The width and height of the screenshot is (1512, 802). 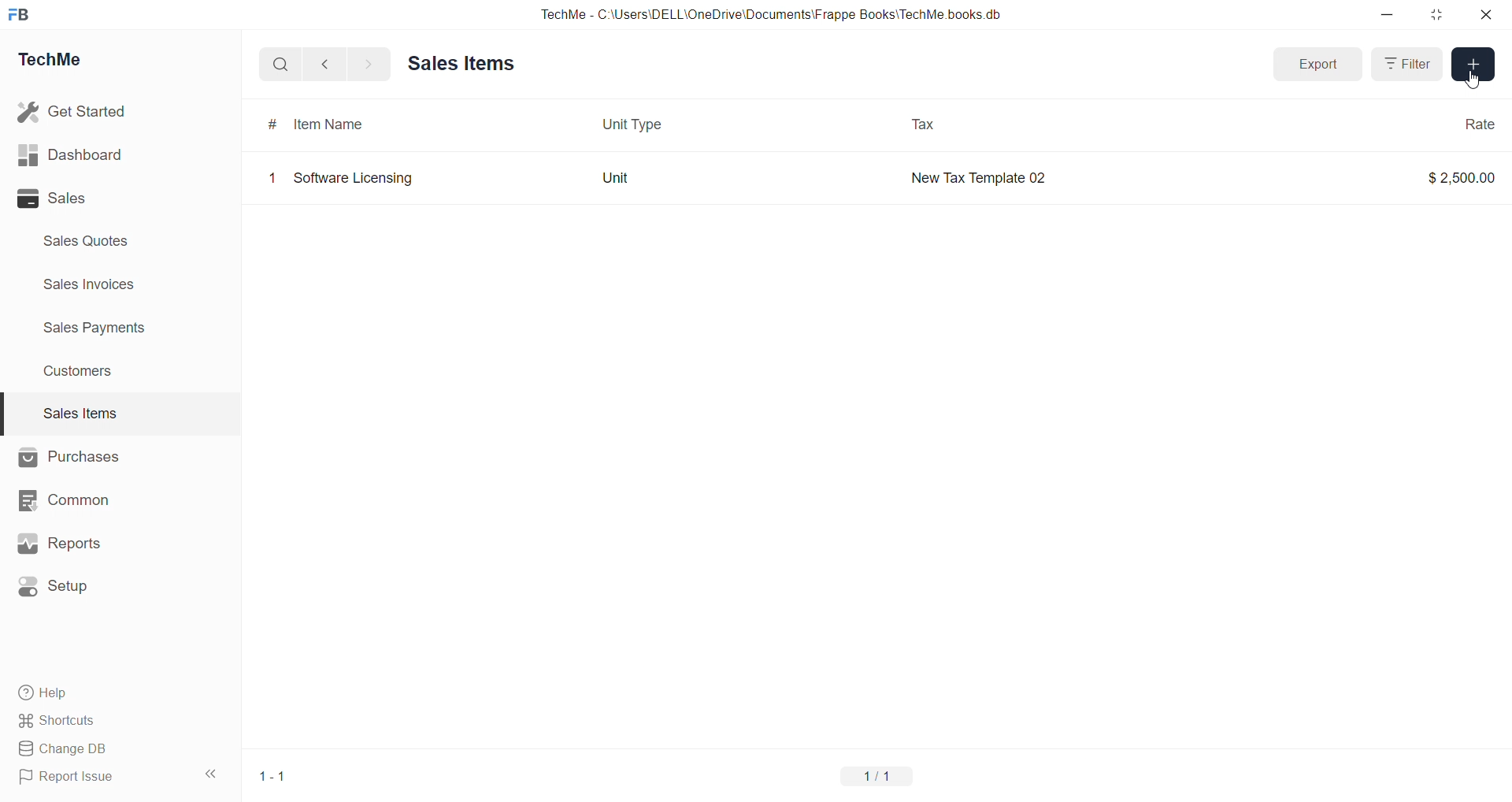 What do you see at coordinates (1410, 64) in the screenshot?
I see `Filter` at bounding box center [1410, 64].